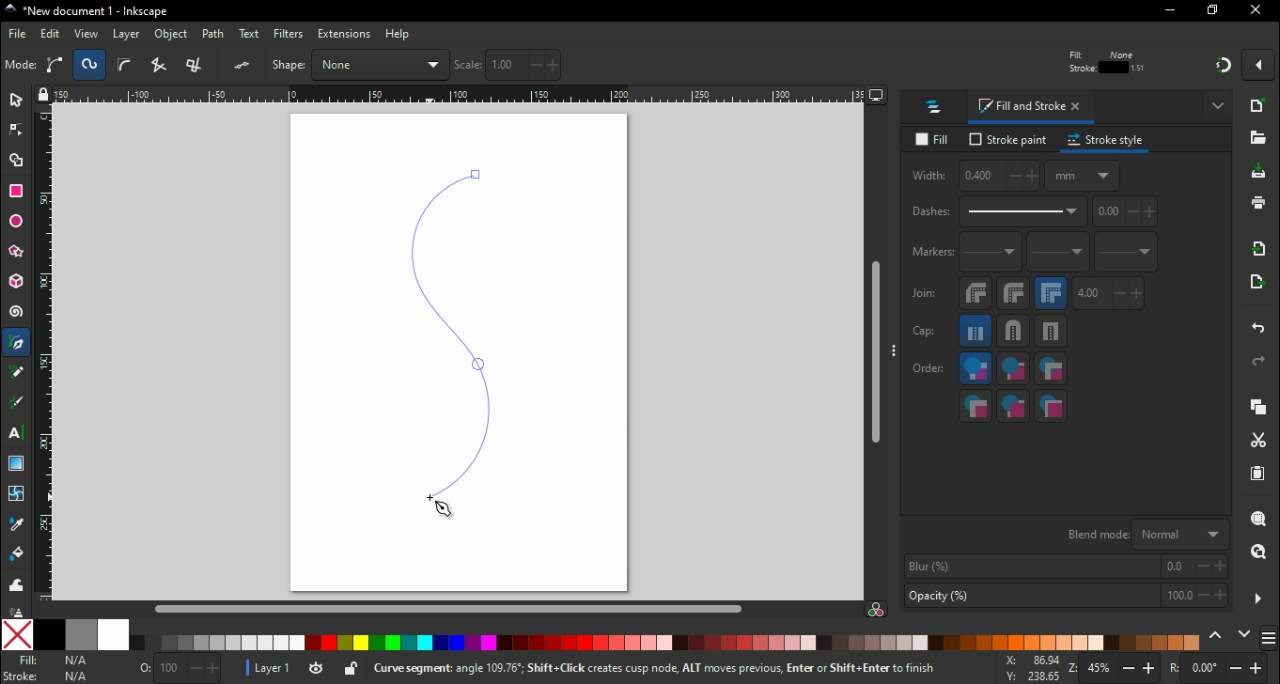 The height and width of the screenshot is (684, 1280). I want to click on rotation increase/decrease, so click(1222, 670).